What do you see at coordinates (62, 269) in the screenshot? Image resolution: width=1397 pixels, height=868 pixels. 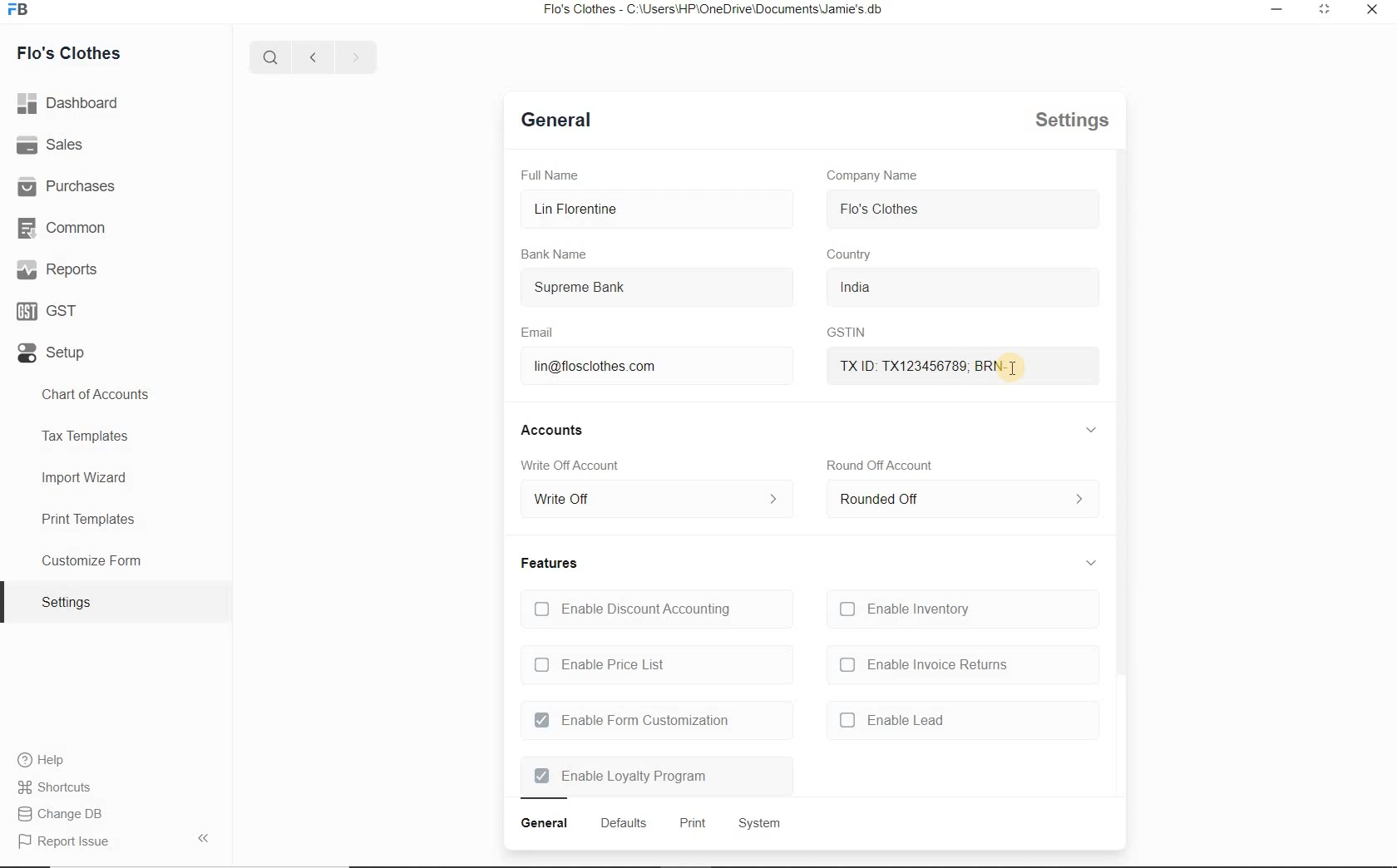 I see `Reports` at bounding box center [62, 269].